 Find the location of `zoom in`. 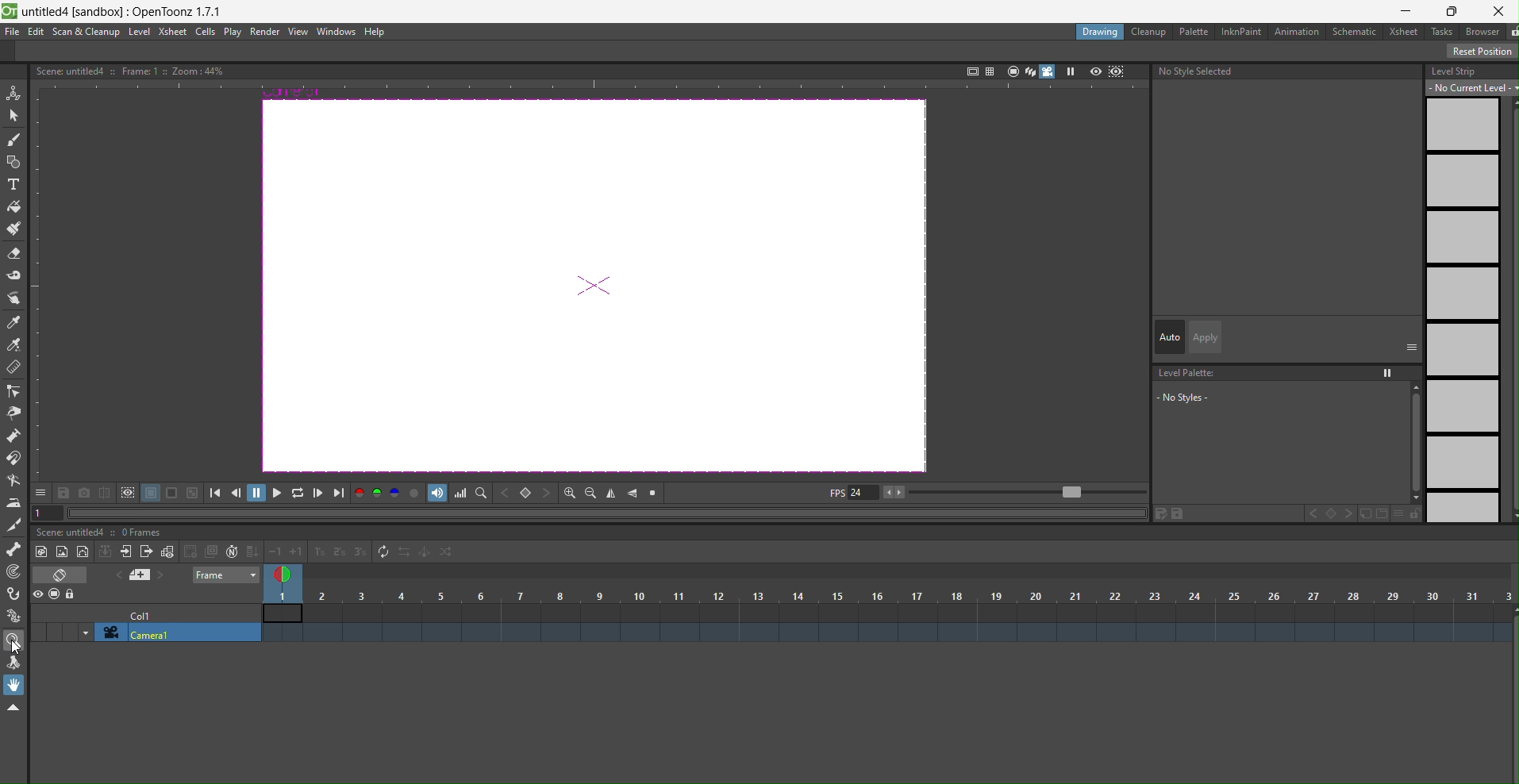

zoom in is located at coordinates (565, 491).